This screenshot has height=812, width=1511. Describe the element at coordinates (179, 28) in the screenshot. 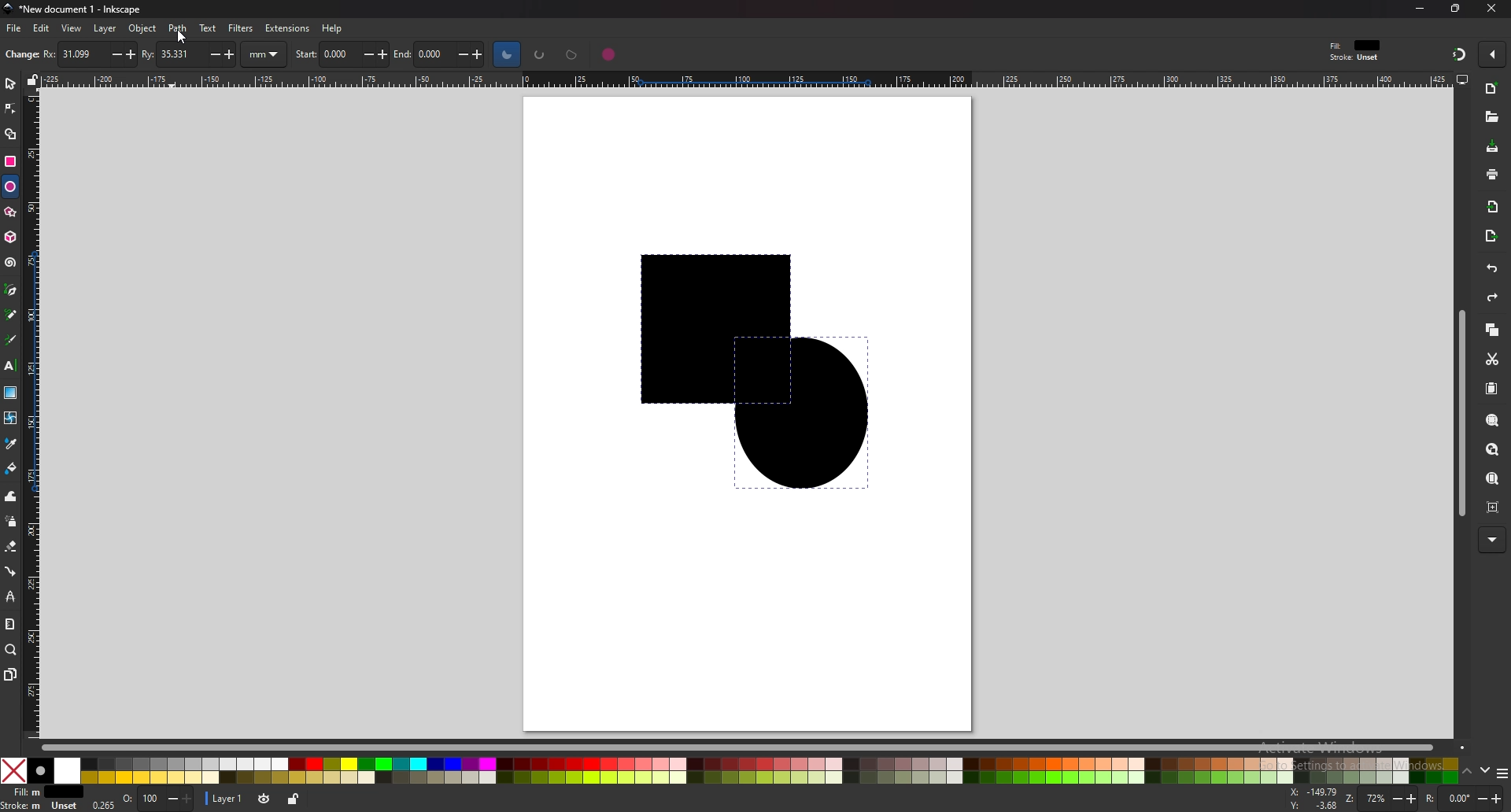

I see `path` at that location.